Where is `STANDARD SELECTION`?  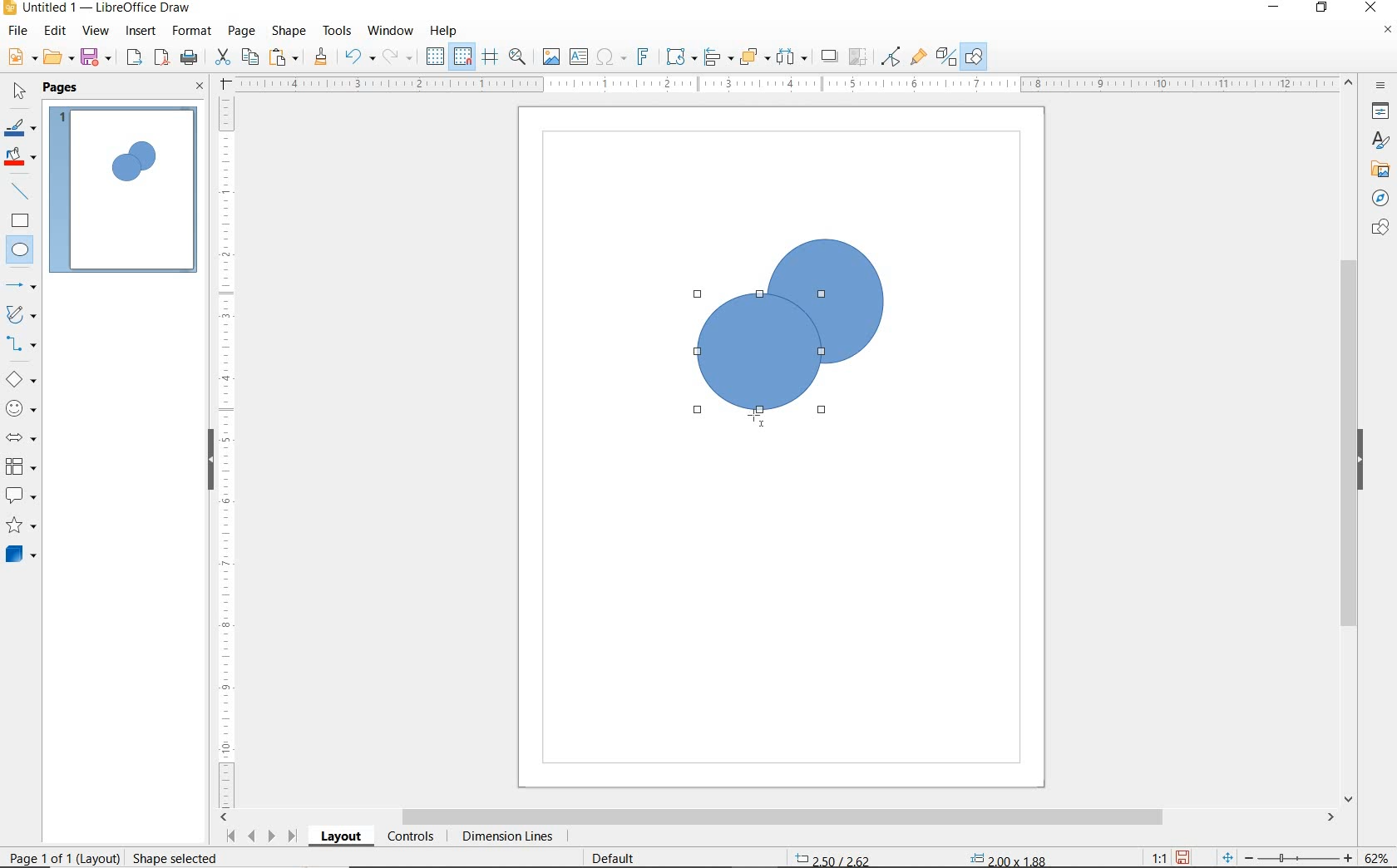 STANDARD SELECTION is located at coordinates (921, 854).